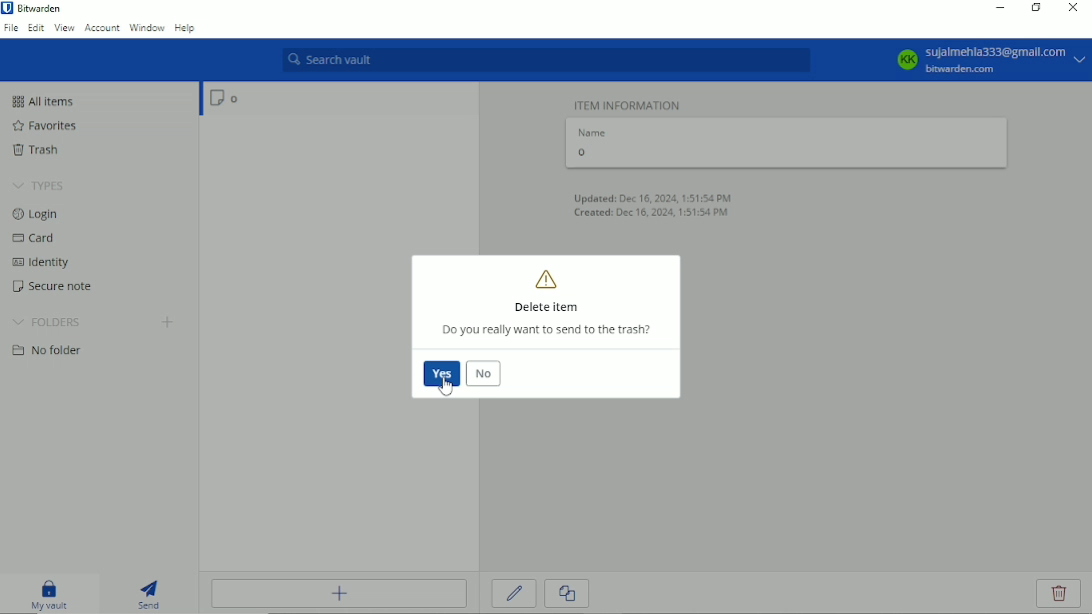  What do you see at coordinates (629, 104) in the screenshot?
I see `Item information` at bounding box center [629, 104].